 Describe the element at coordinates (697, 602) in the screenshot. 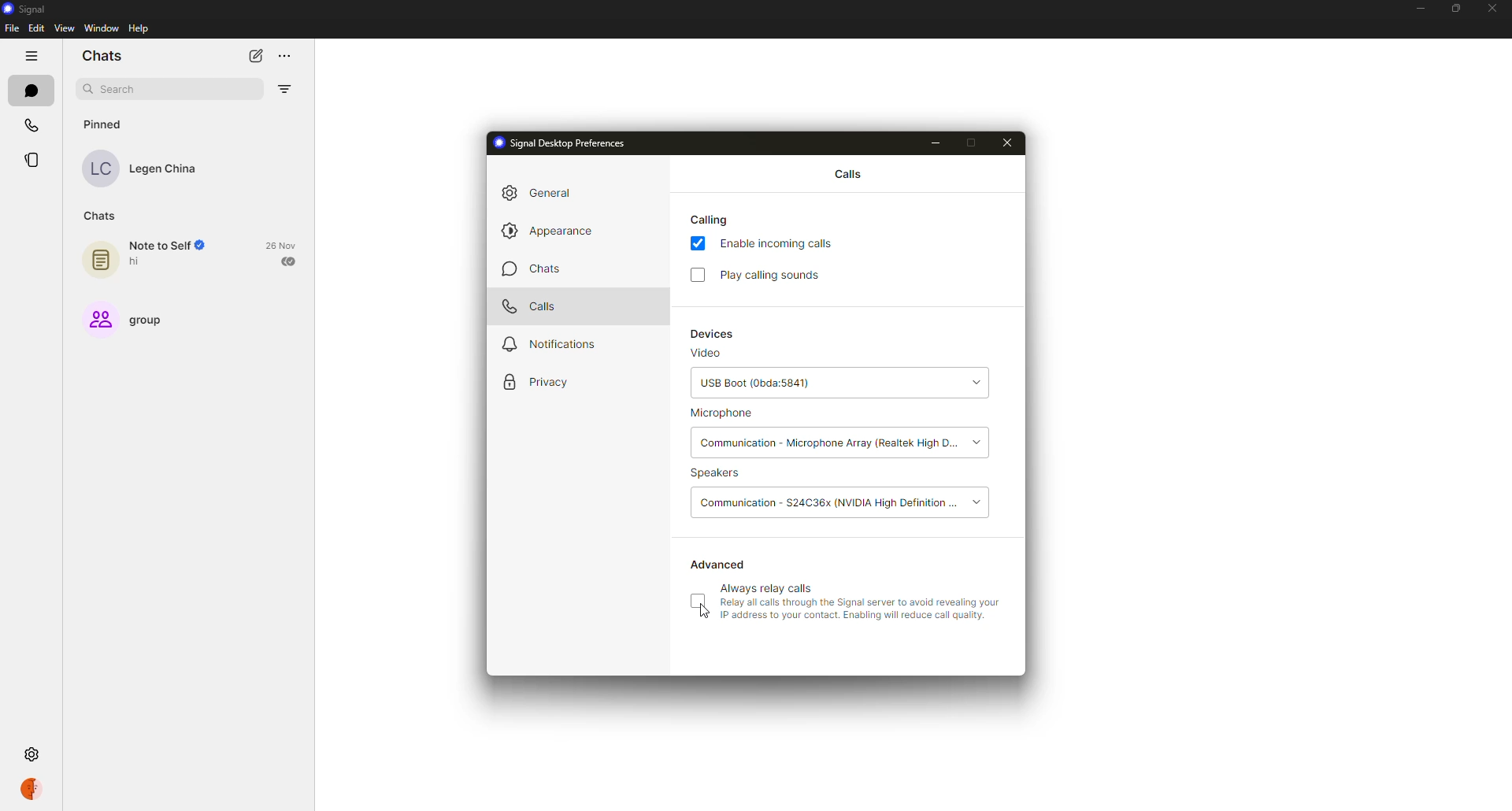

I see `click to enable` at that location.